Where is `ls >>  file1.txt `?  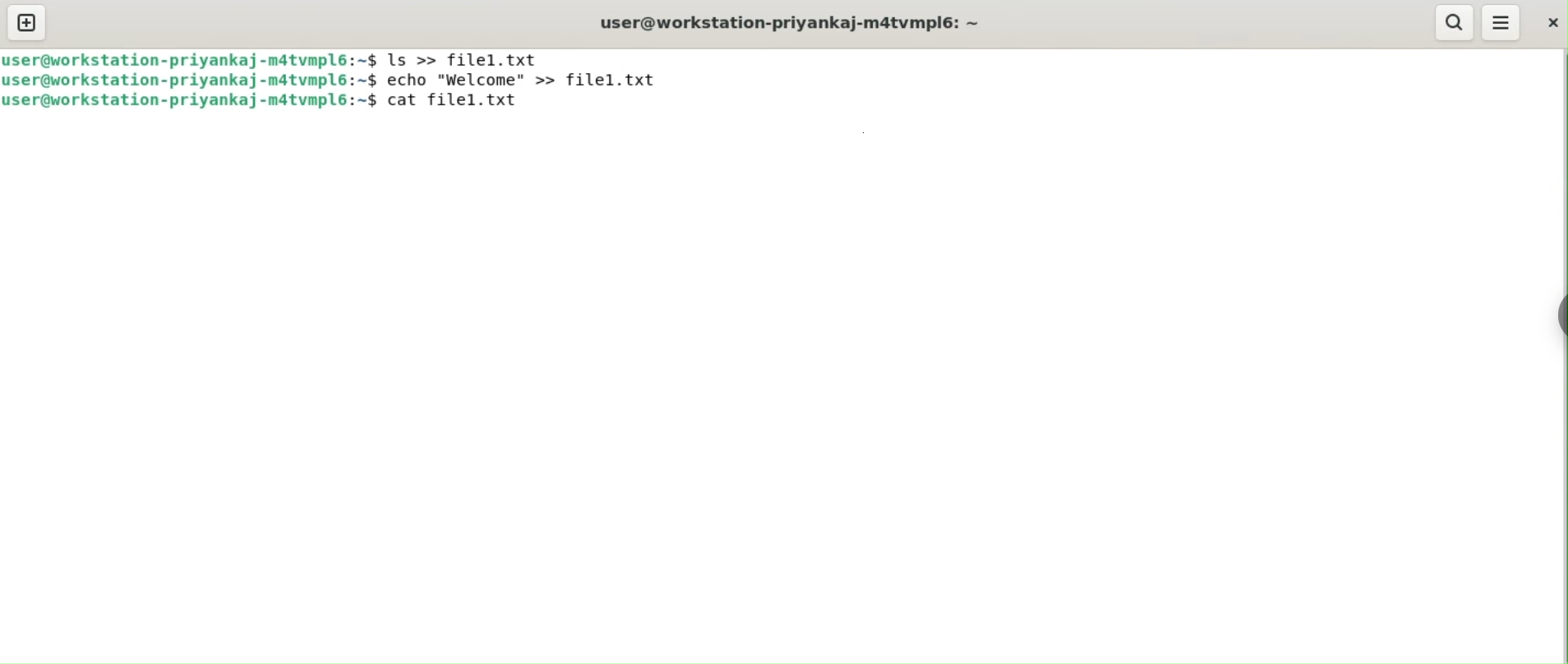 ls >>  file1.txt  is located at coordinates (464, 60).